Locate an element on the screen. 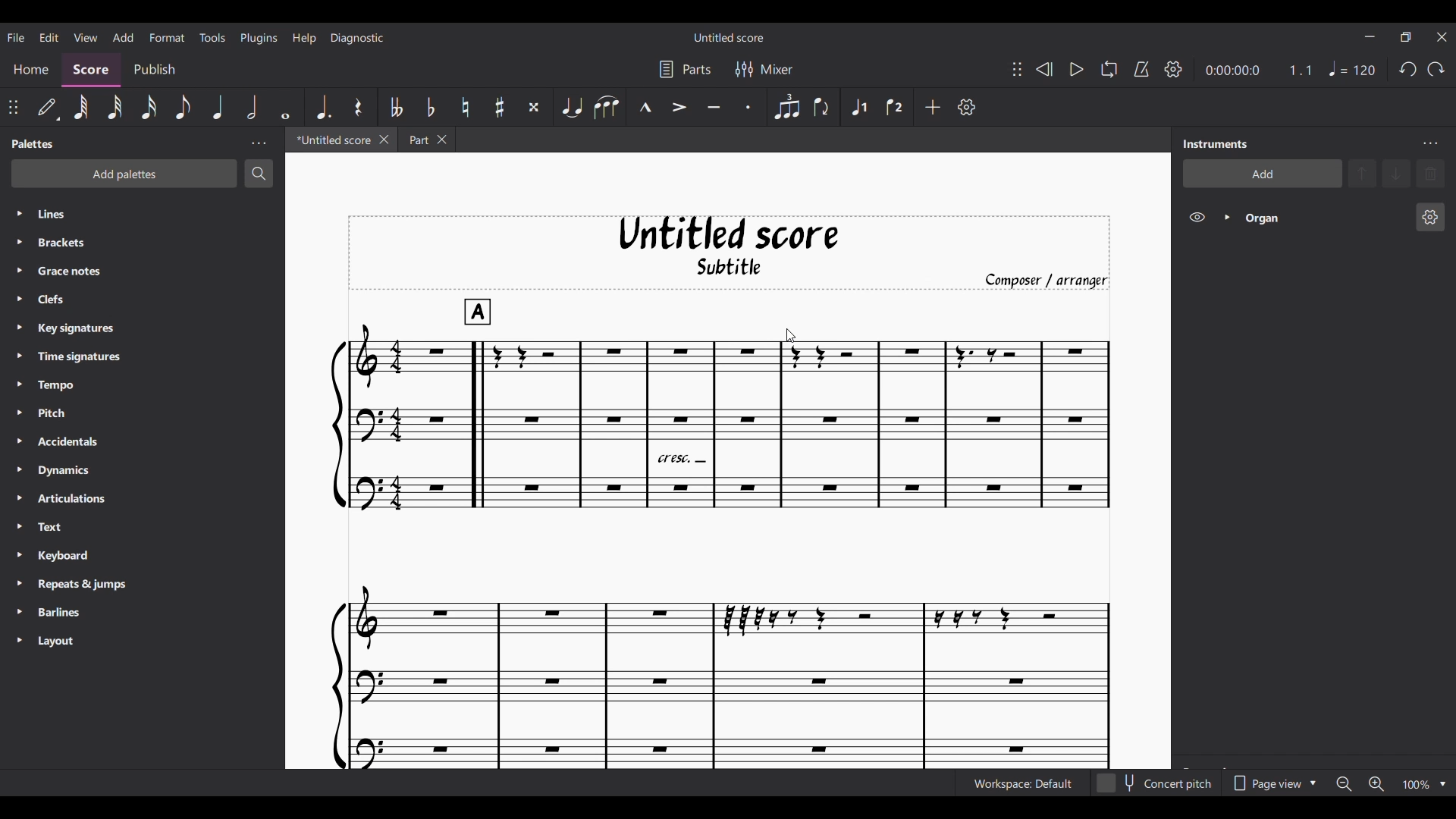 Image resolution: width=1456 pixels, height=819 pixels. 32nd note is located at coordinates (115, 108).